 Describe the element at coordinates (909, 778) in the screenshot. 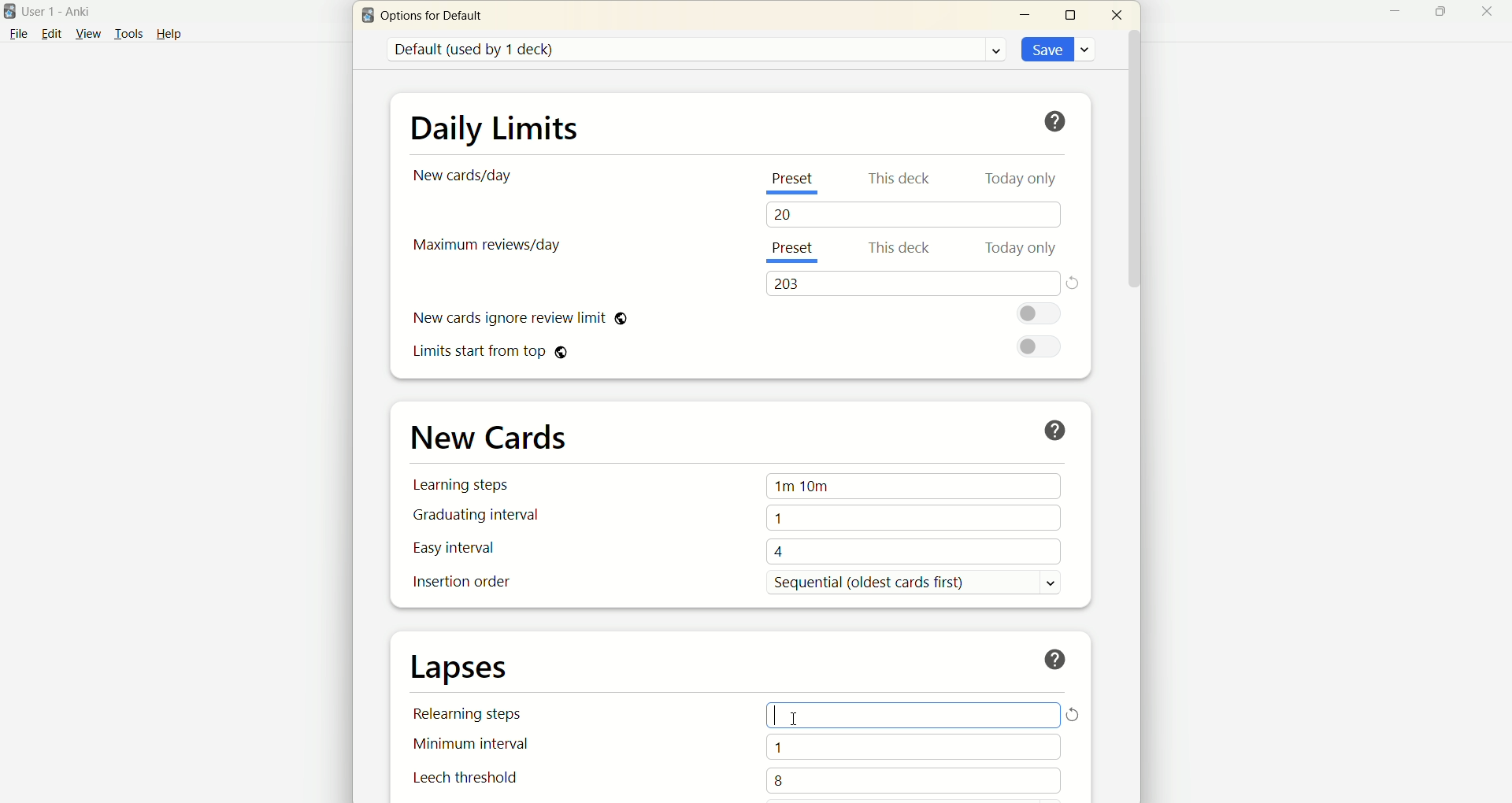

I see `8` at that location.